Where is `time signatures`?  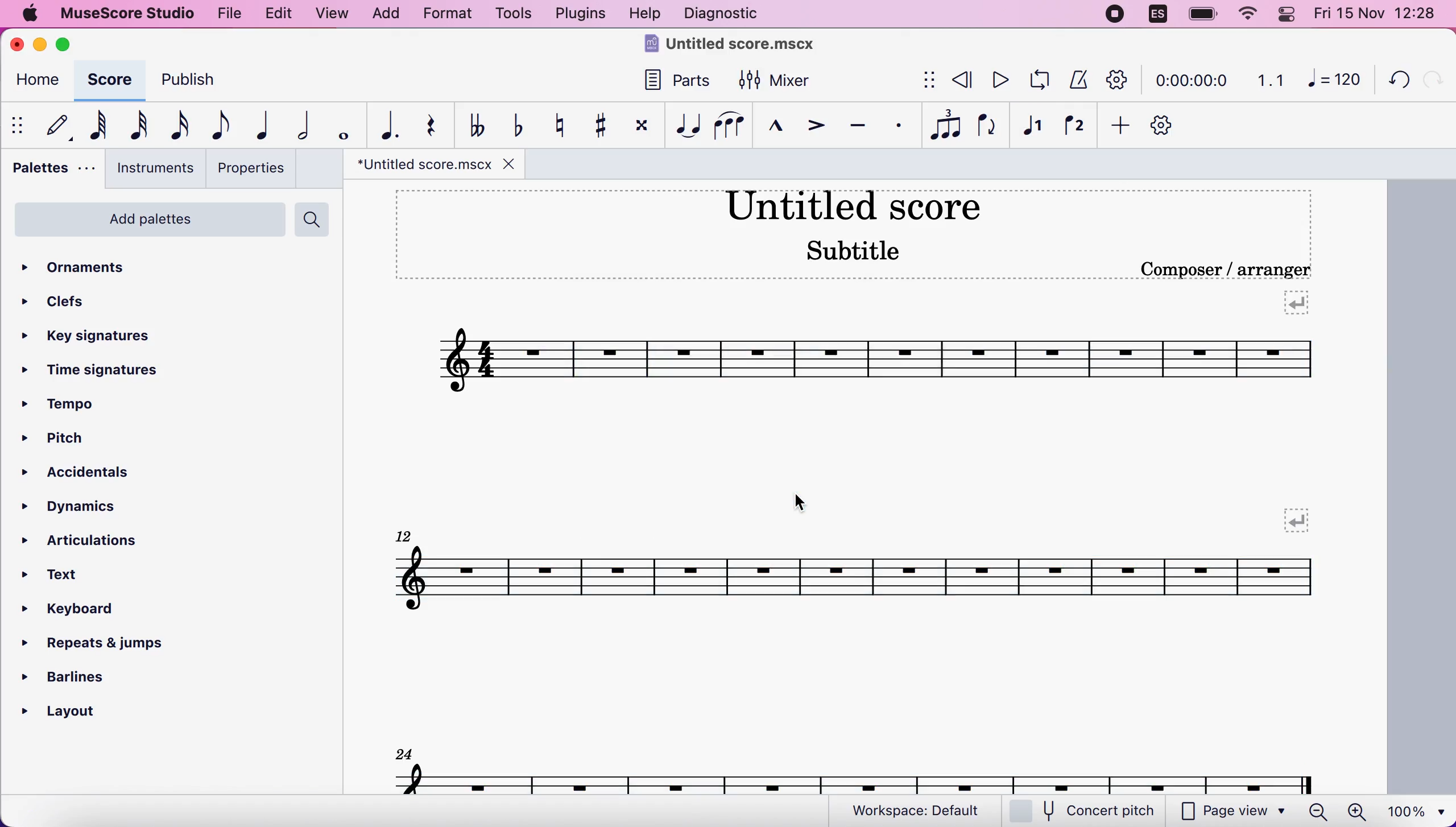 time signatures is located at coordinates (94, 371).